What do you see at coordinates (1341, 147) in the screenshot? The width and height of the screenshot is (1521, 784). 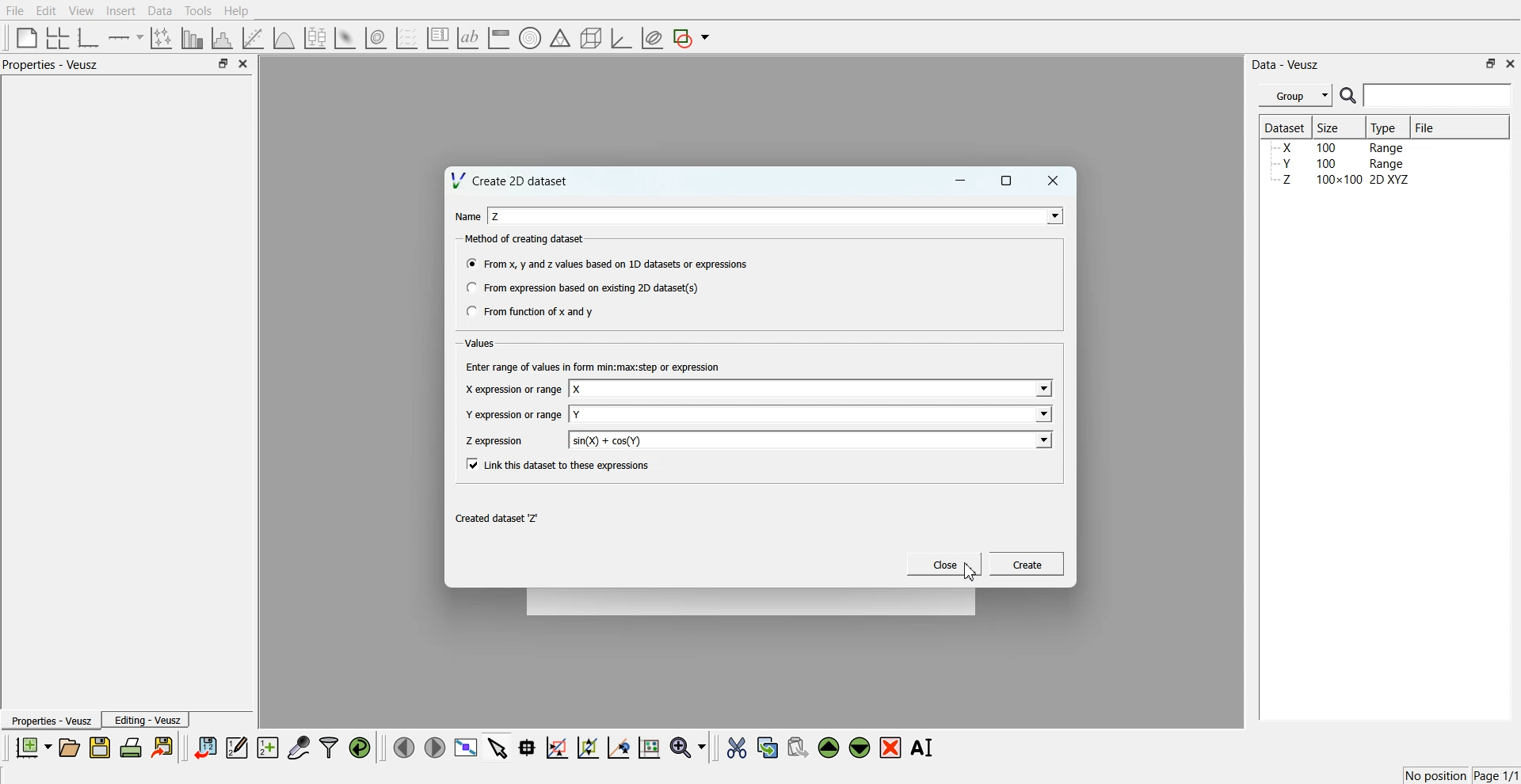 I see `X 100 Range` at bounding box center [1341, 147].